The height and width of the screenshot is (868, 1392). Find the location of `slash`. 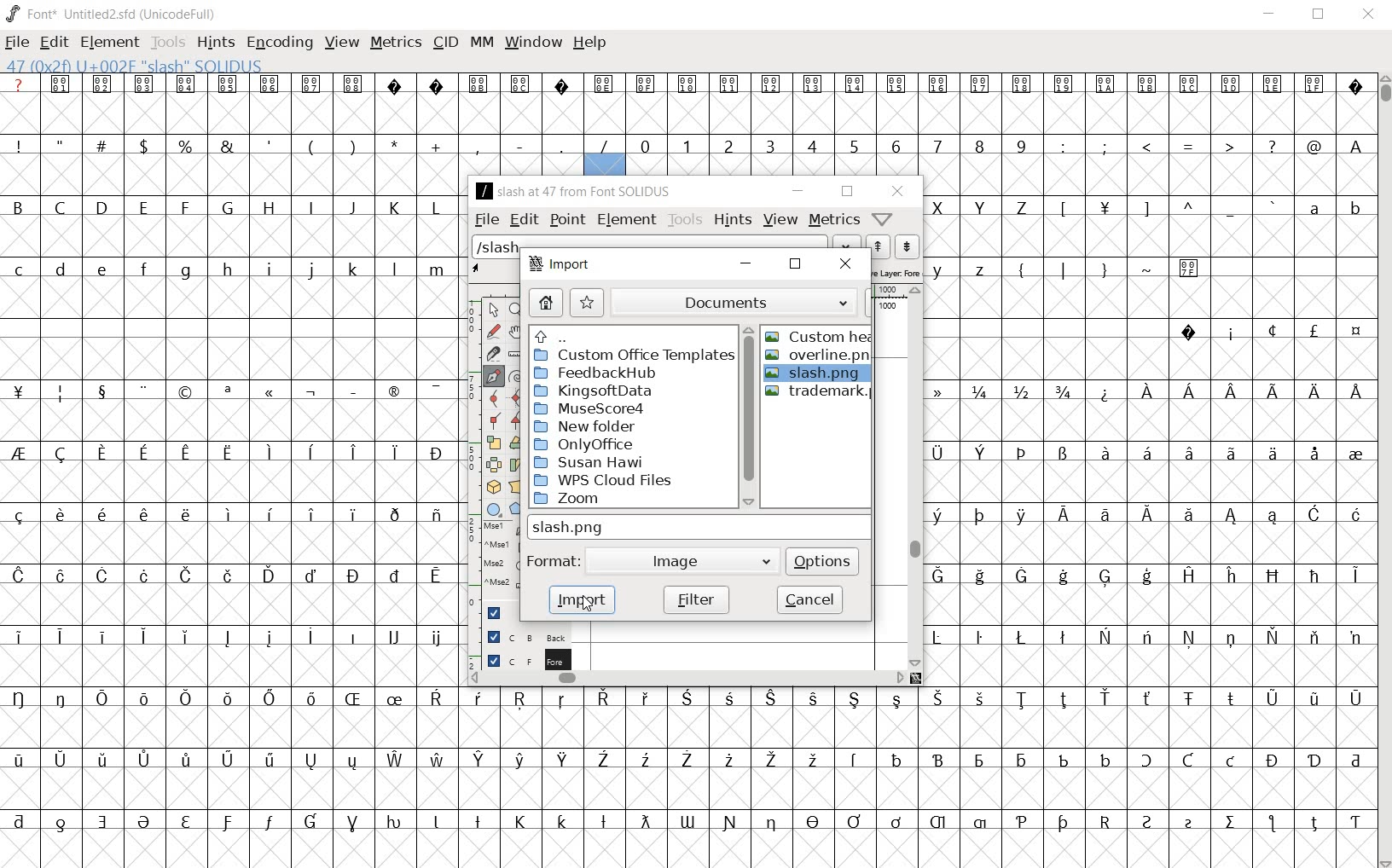

slash is located at coordinates (496, 248).